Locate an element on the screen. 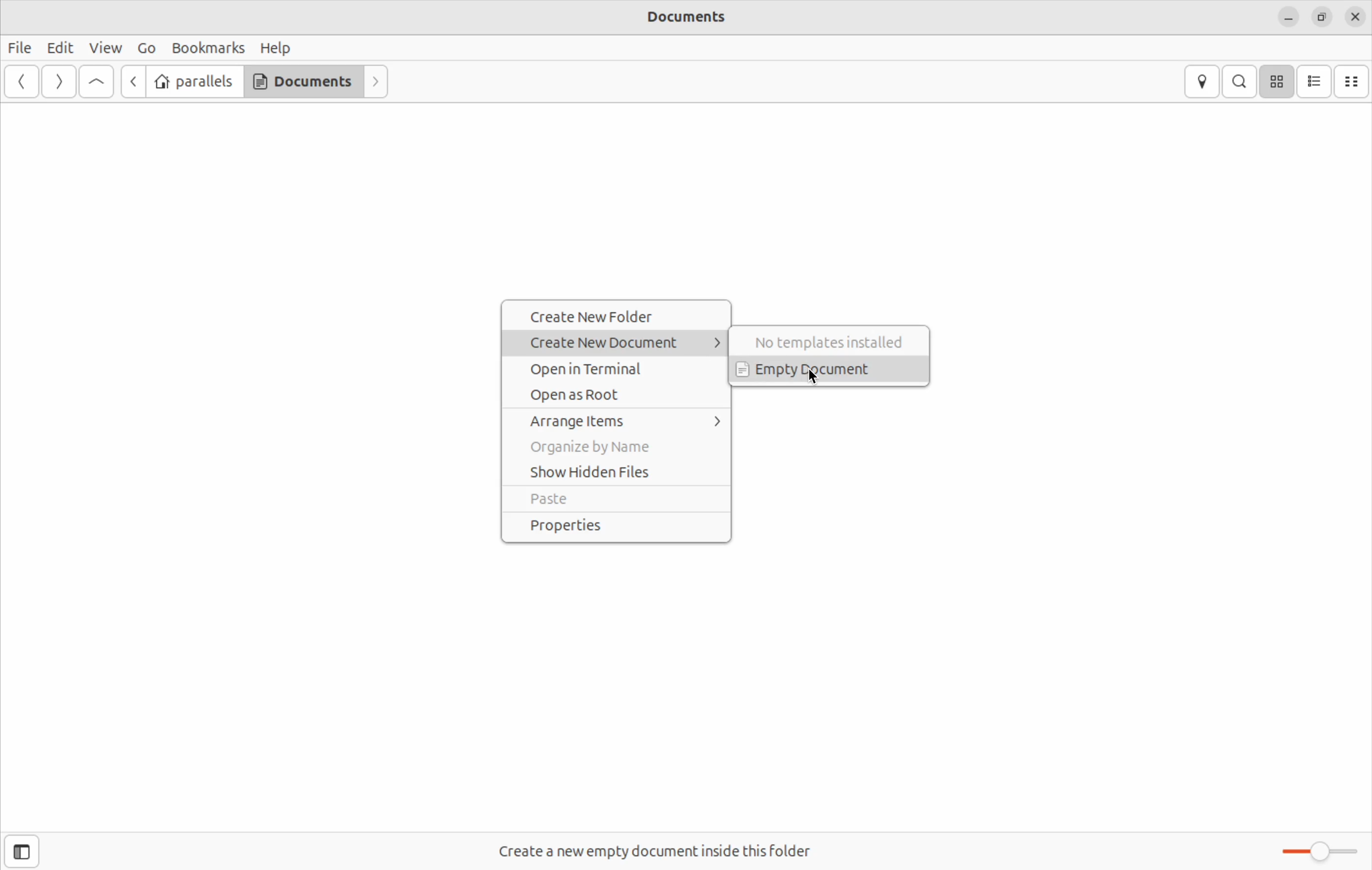 The width and height of the screenshot is (1372, 870). compact view is located at coordinates (1353, 81).